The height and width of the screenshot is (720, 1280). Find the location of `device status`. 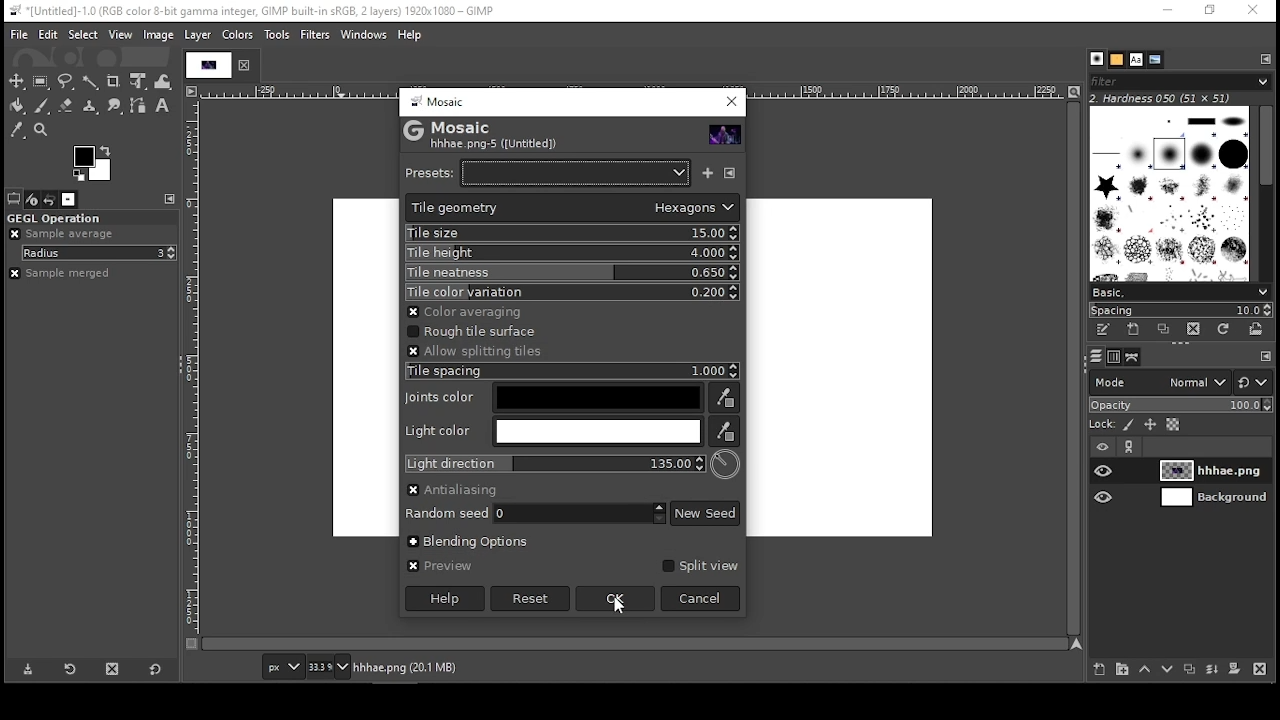

device status is located at coordinates (30, 199).